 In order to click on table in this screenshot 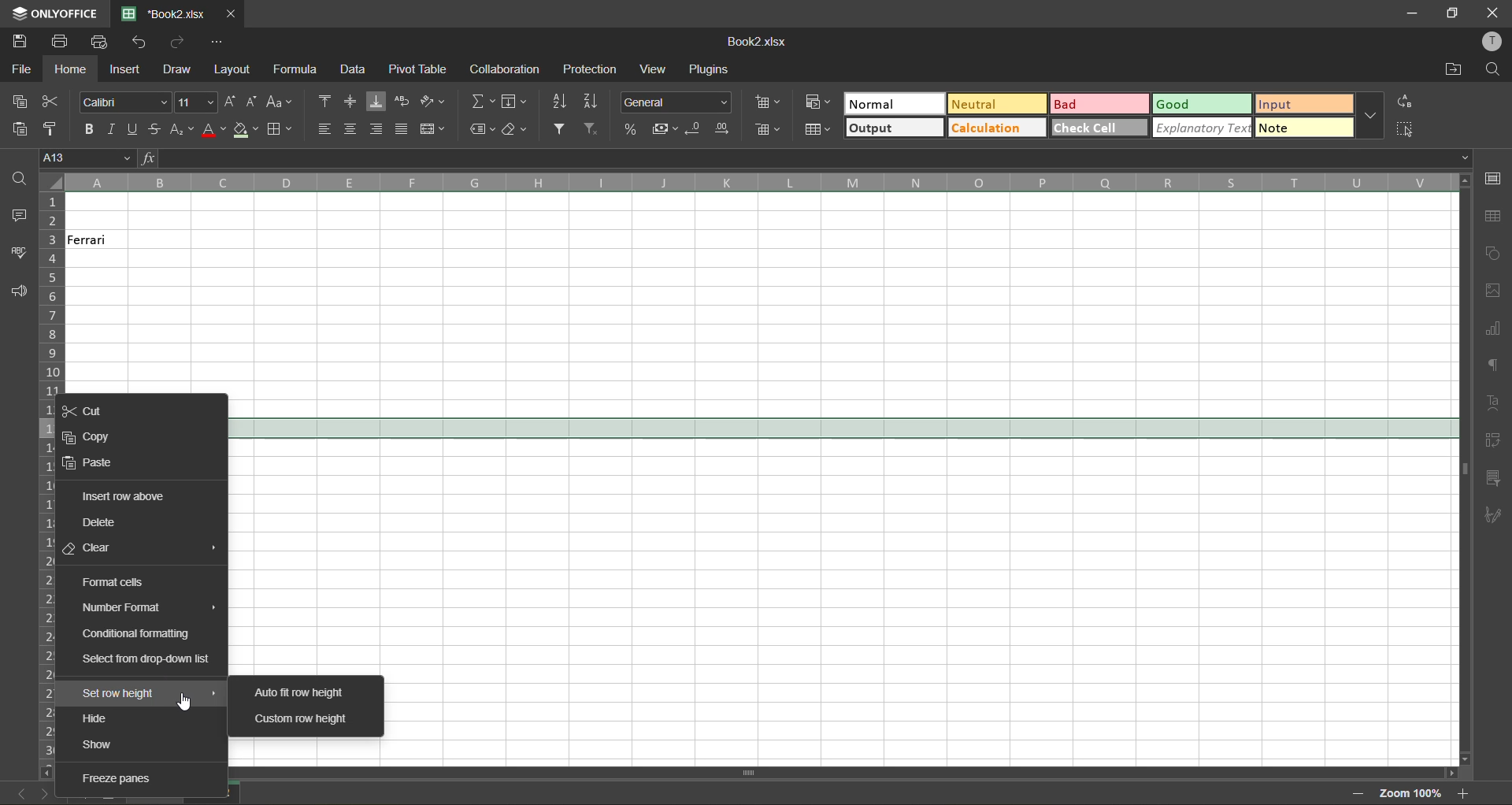, I will do `click(1495, 217)`.